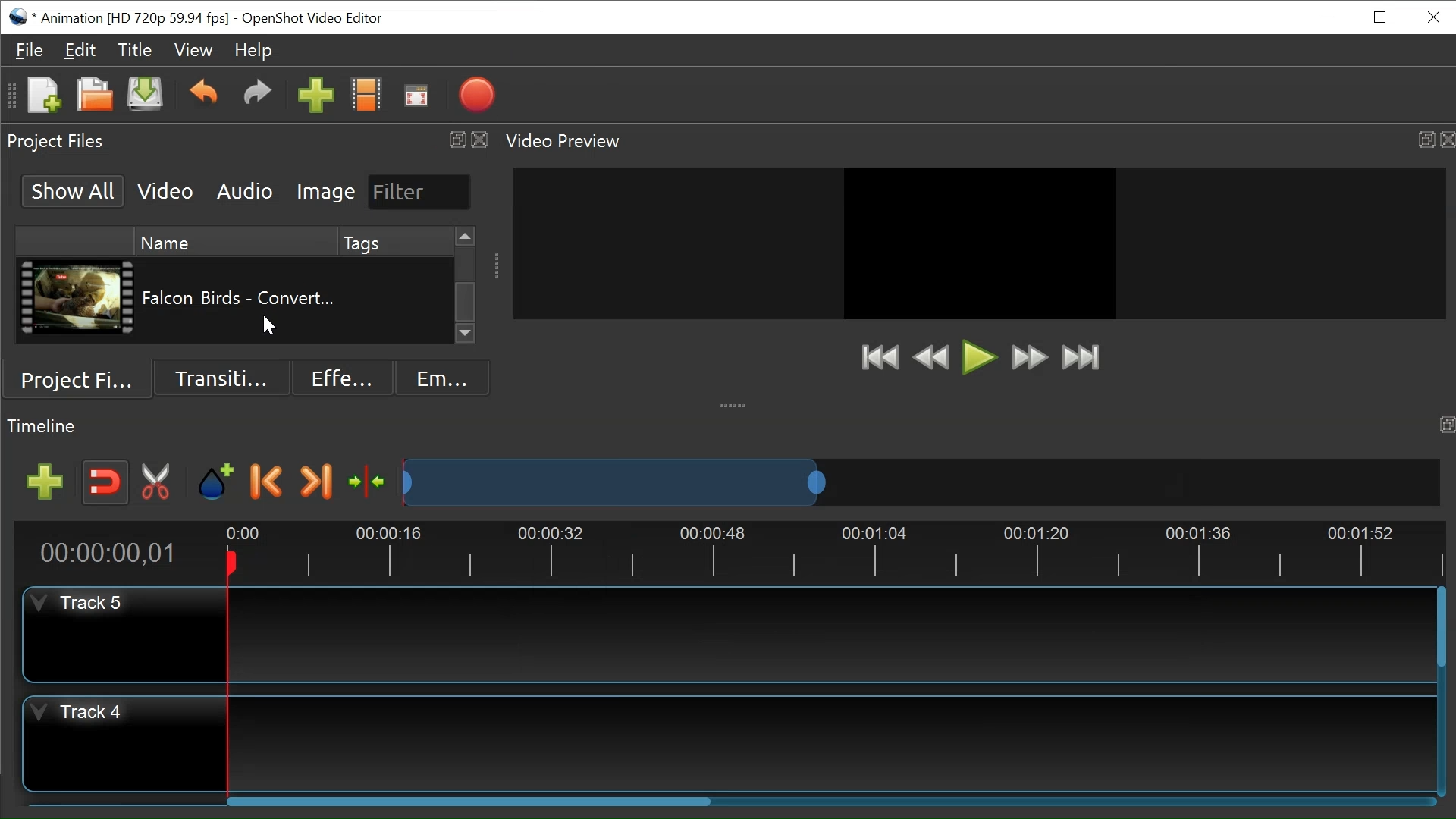  Describe the element at coordinates (83, 603) in the screenshot. I see `Track Header` at that location.